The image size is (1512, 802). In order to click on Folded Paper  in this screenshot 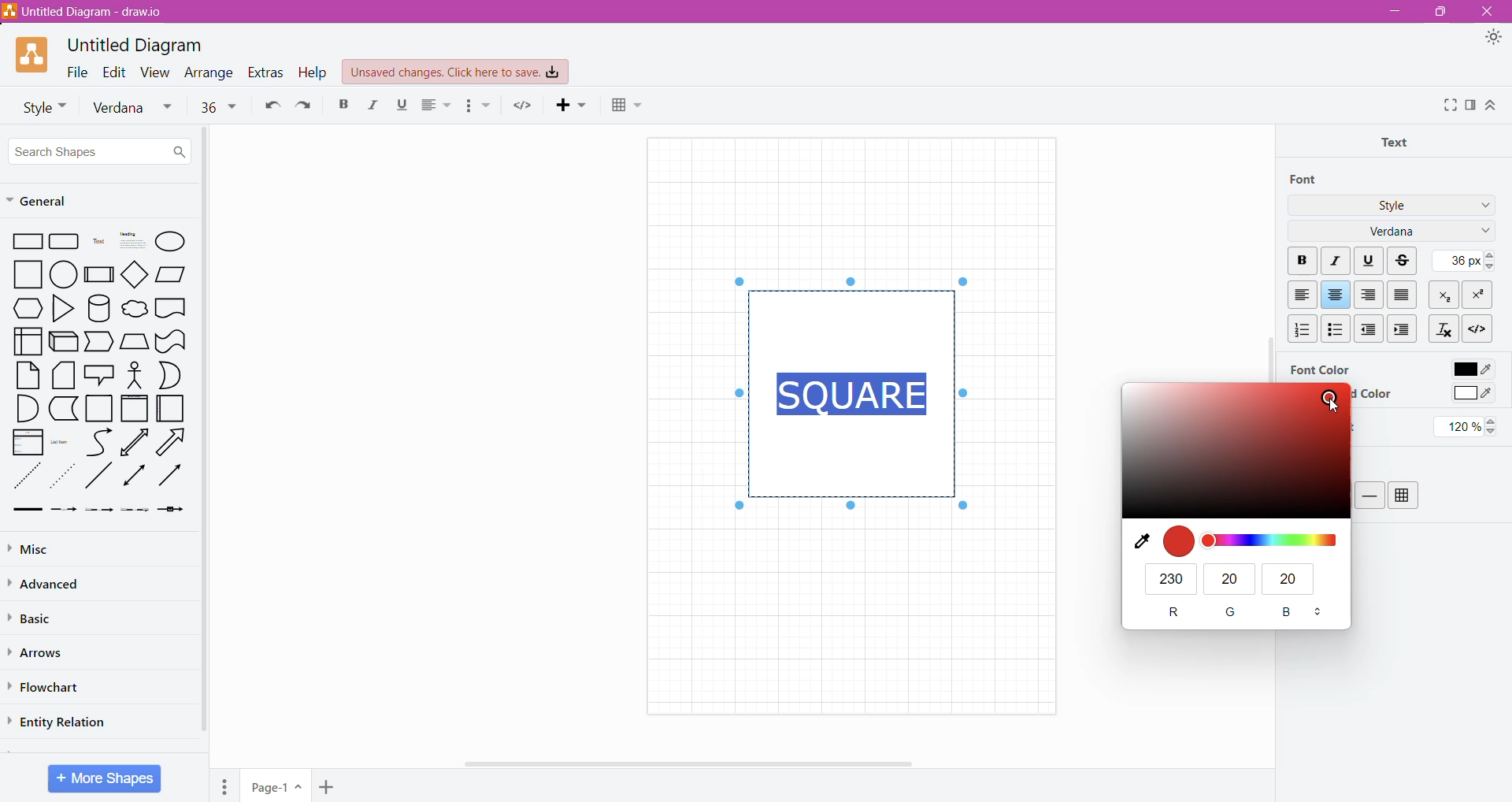, I will do `click(172, 409)`.